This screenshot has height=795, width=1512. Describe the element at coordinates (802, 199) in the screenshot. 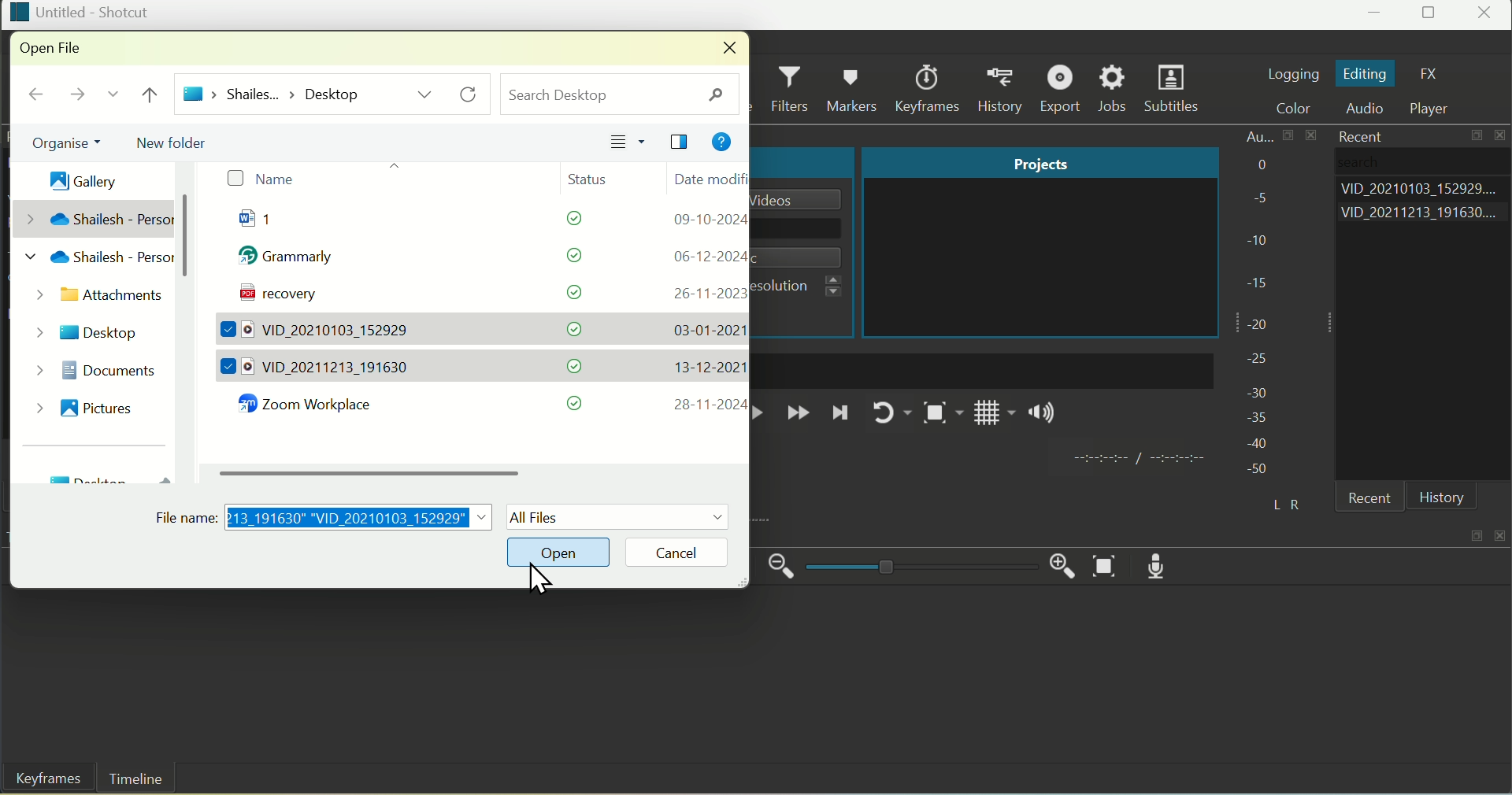

I see `Name of file` at that location.